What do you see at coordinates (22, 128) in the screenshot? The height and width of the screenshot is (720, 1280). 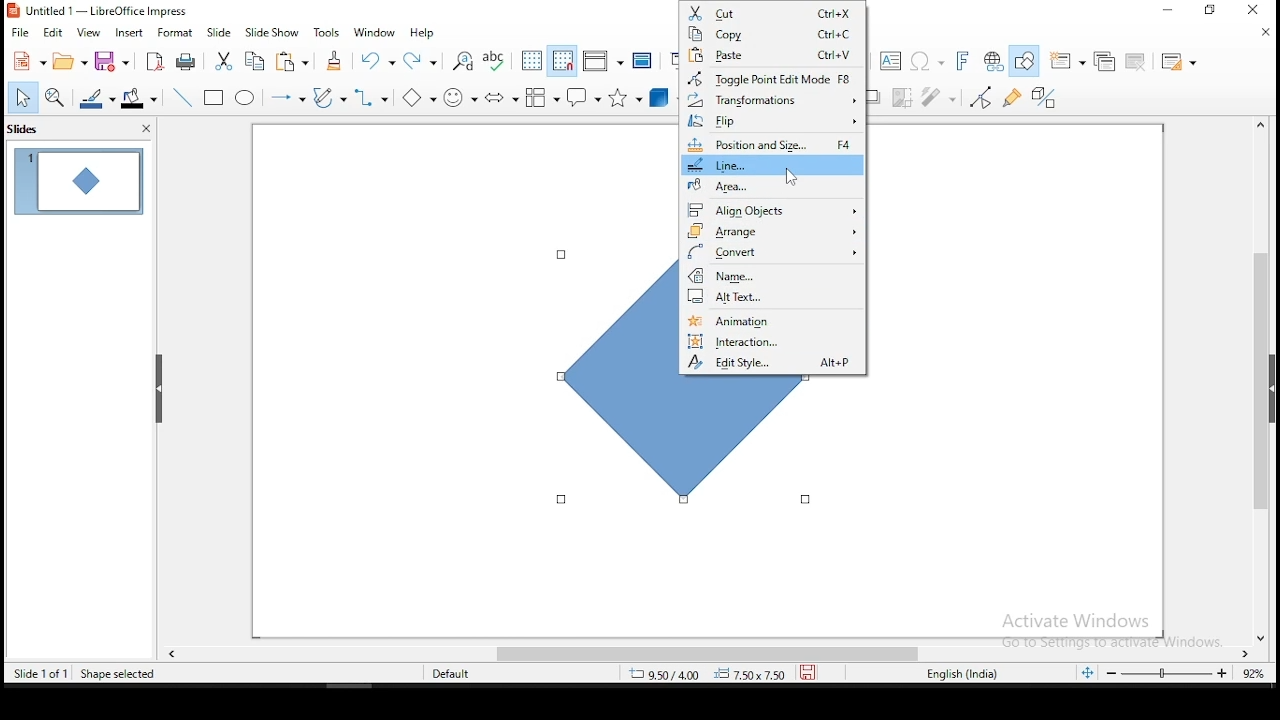 I see `slides` at bounding box center [22, 128].